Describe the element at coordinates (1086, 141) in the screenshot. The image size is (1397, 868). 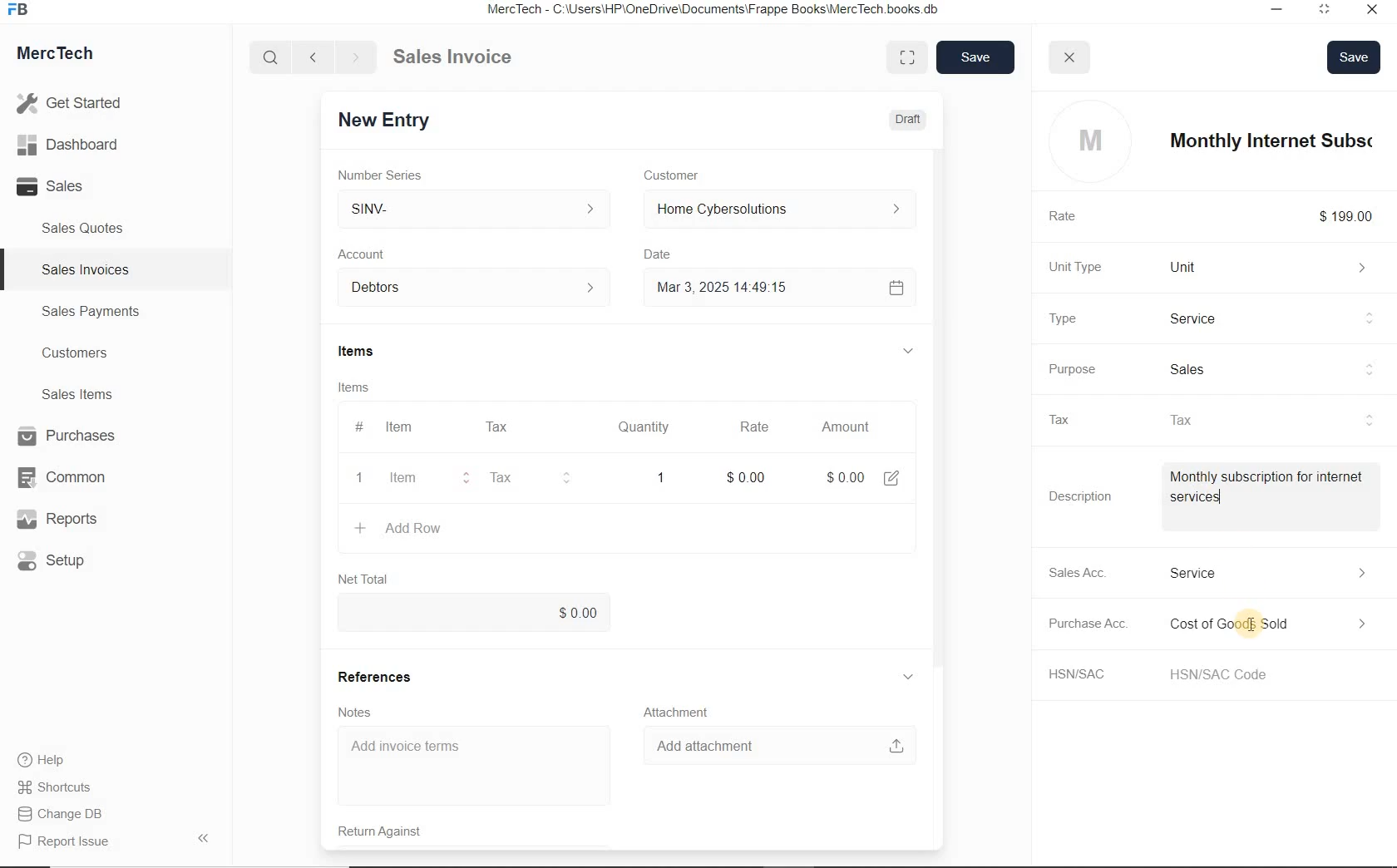
I see `profile logo` at that location.